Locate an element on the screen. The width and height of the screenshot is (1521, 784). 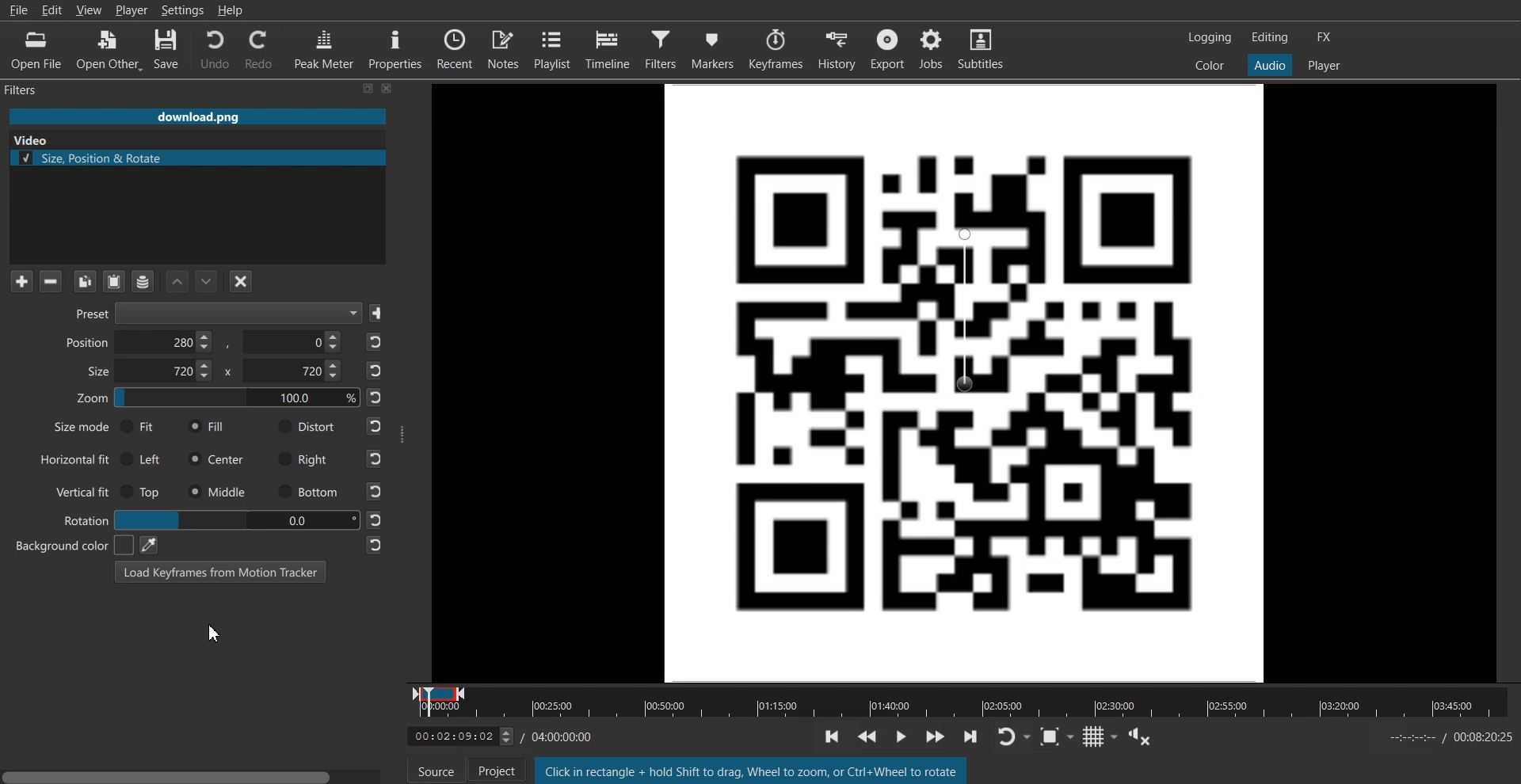
Copy checked Filter is located at coordinates (86, 281).